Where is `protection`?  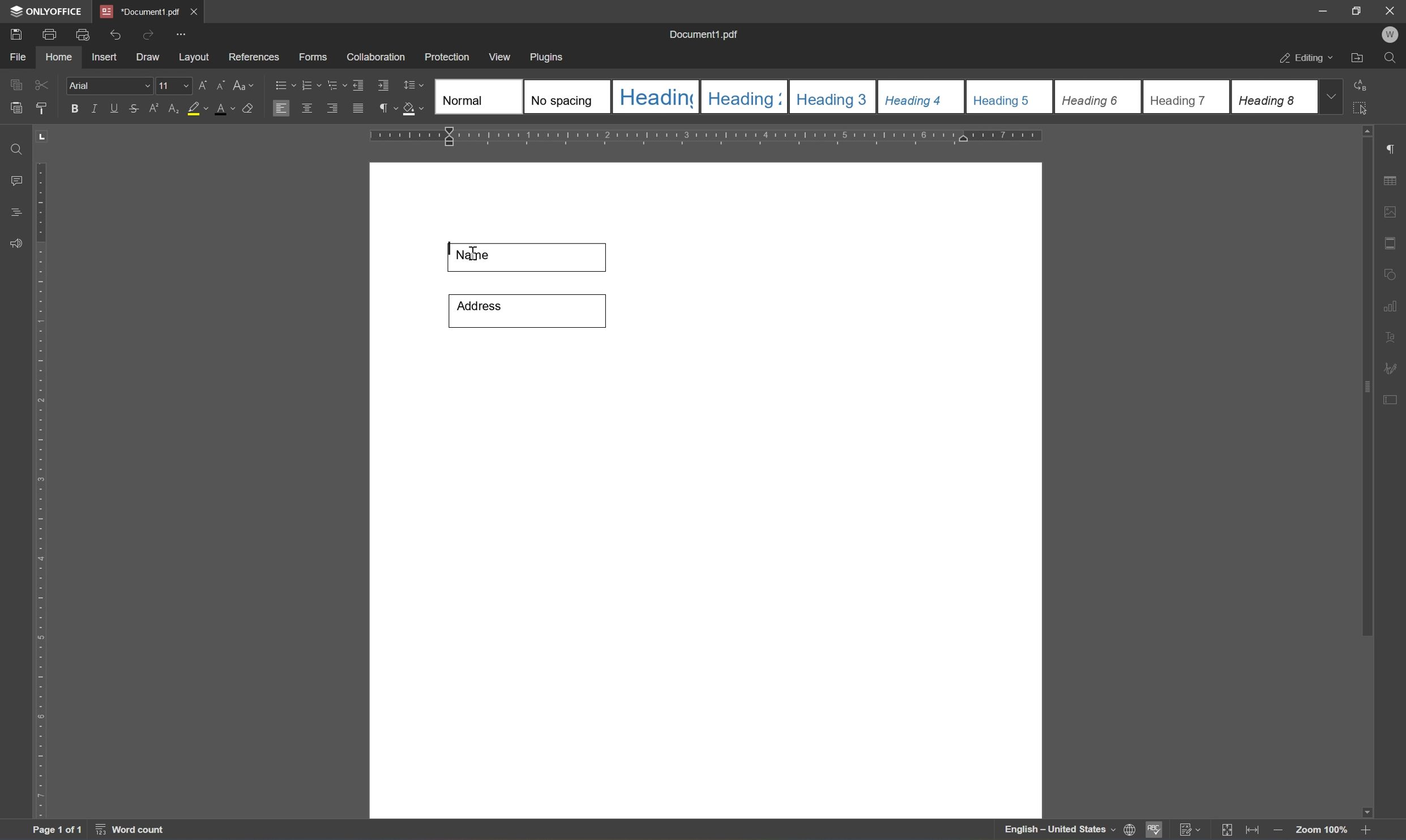 protection is located at coordinates (448, 56).